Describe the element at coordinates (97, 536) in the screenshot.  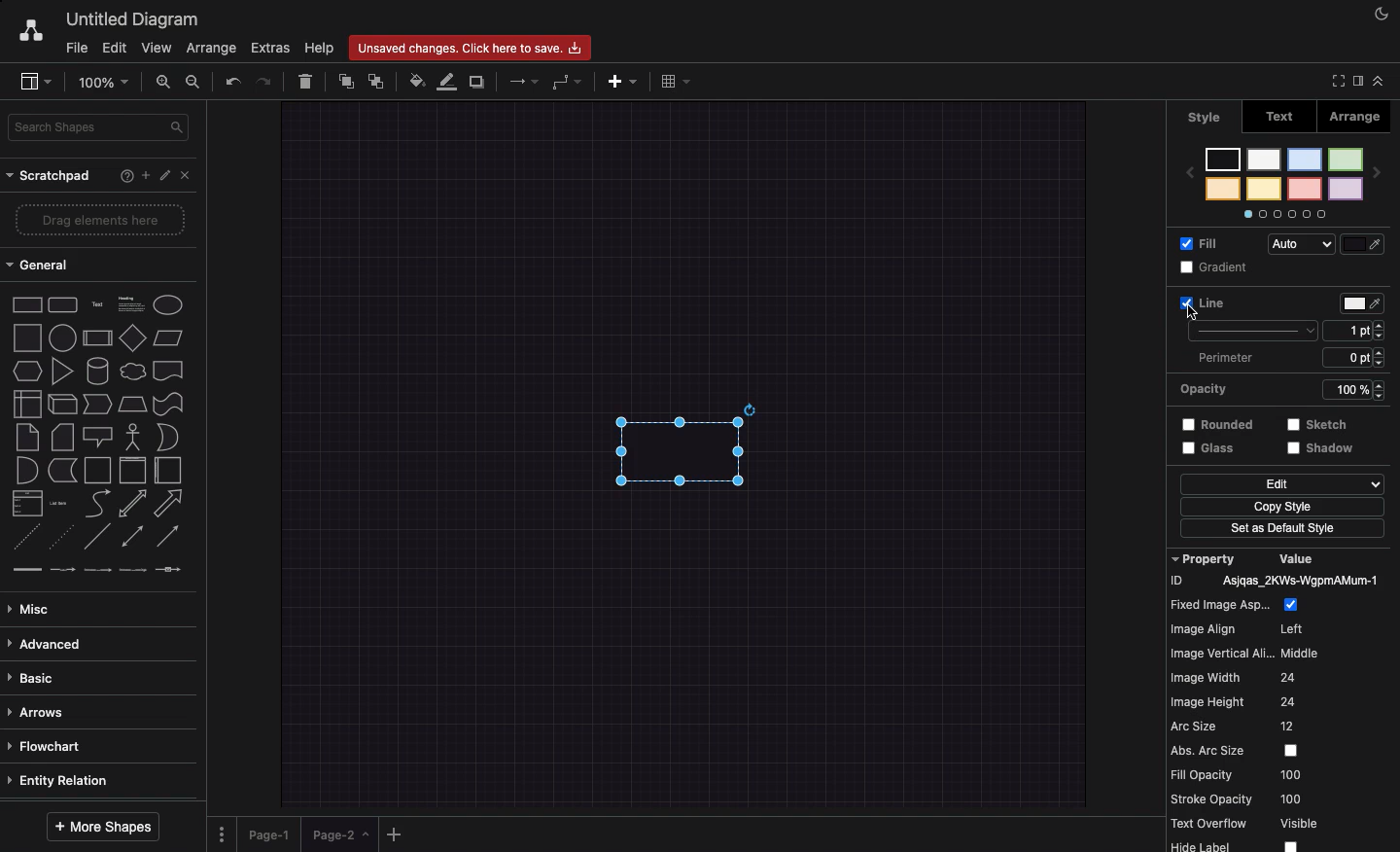
I see `line` at that location.